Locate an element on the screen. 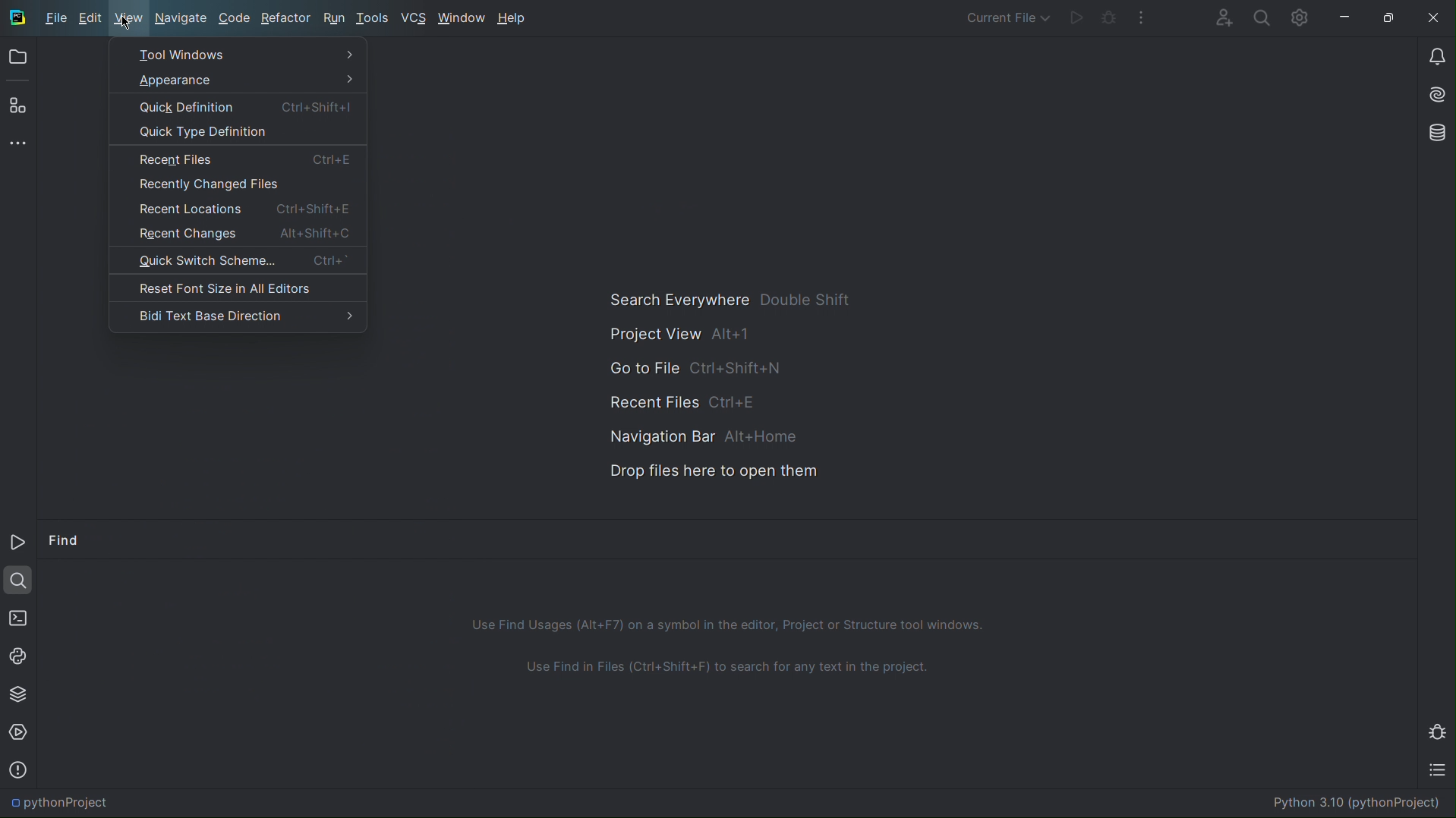  VCS is located at coordinates (415, 19).